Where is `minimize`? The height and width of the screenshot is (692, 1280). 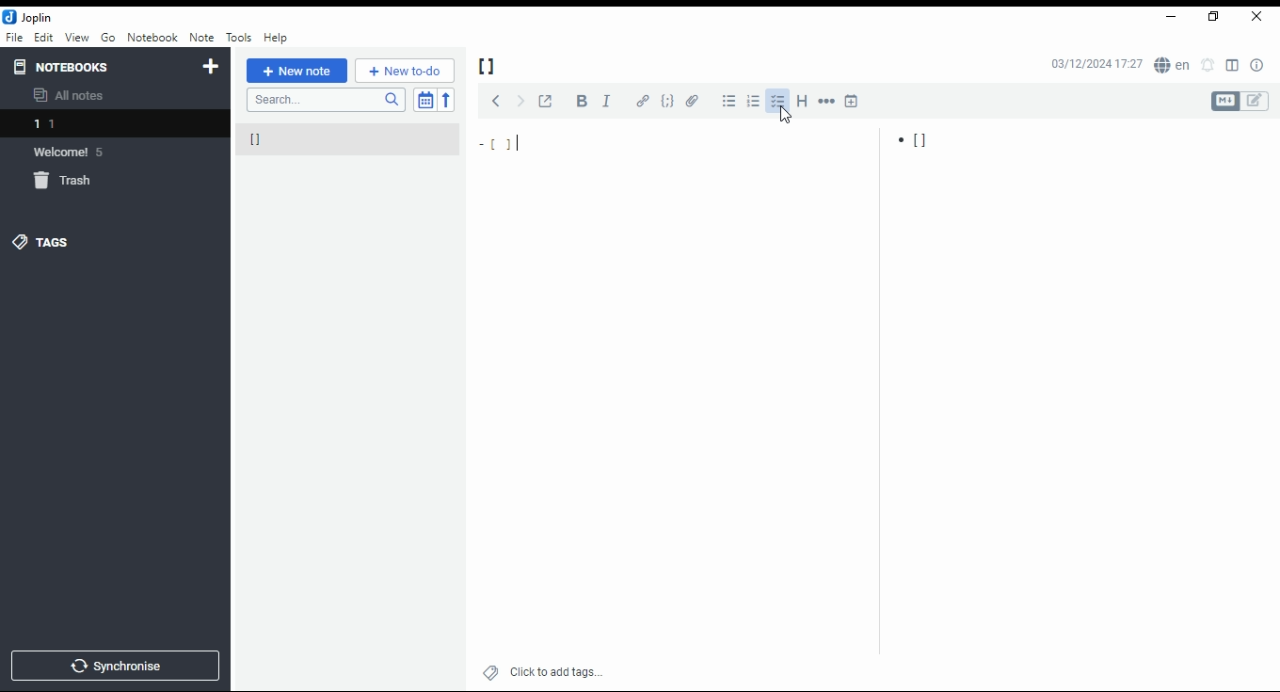 minimize is located at coordinates (1170, 16).